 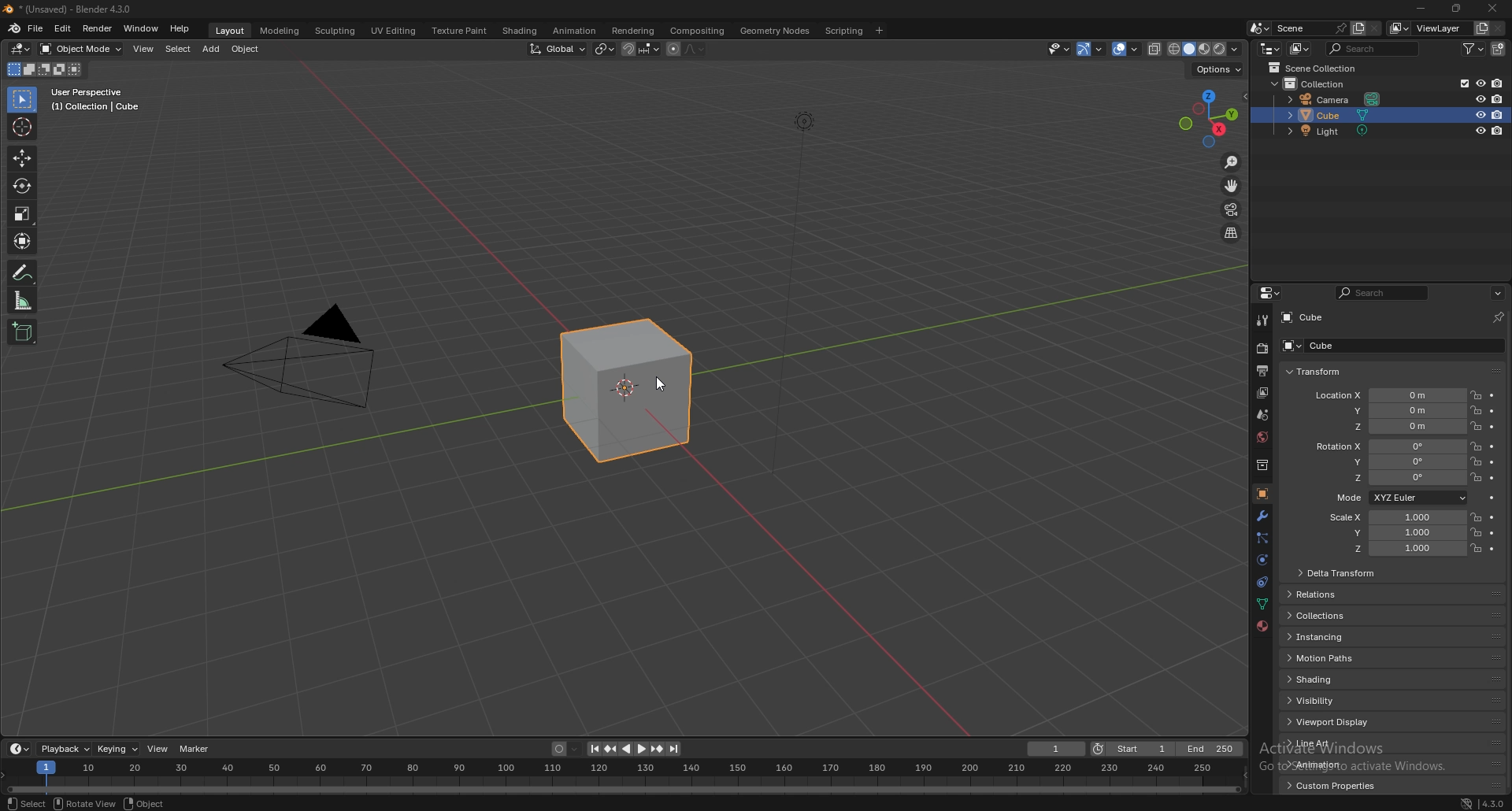 I want to click on toggle xray, so click(x=1154, y=50).